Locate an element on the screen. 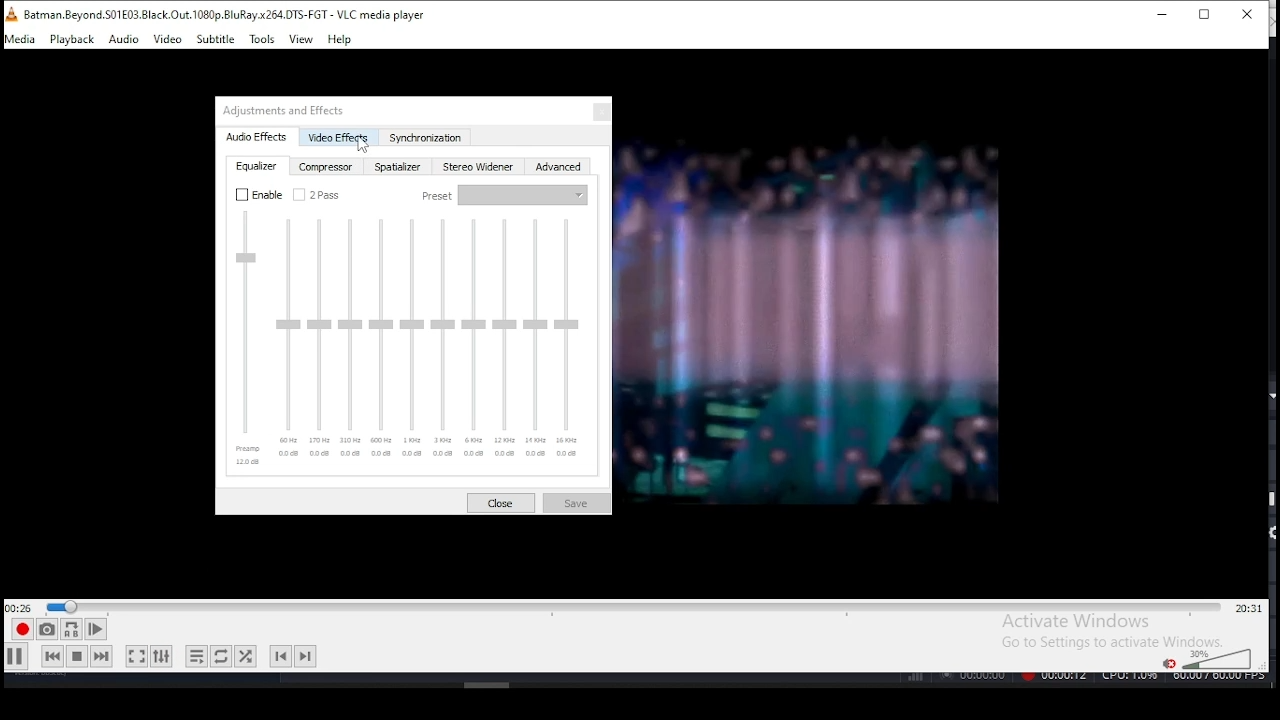  record is located at coordinates (21, 630).